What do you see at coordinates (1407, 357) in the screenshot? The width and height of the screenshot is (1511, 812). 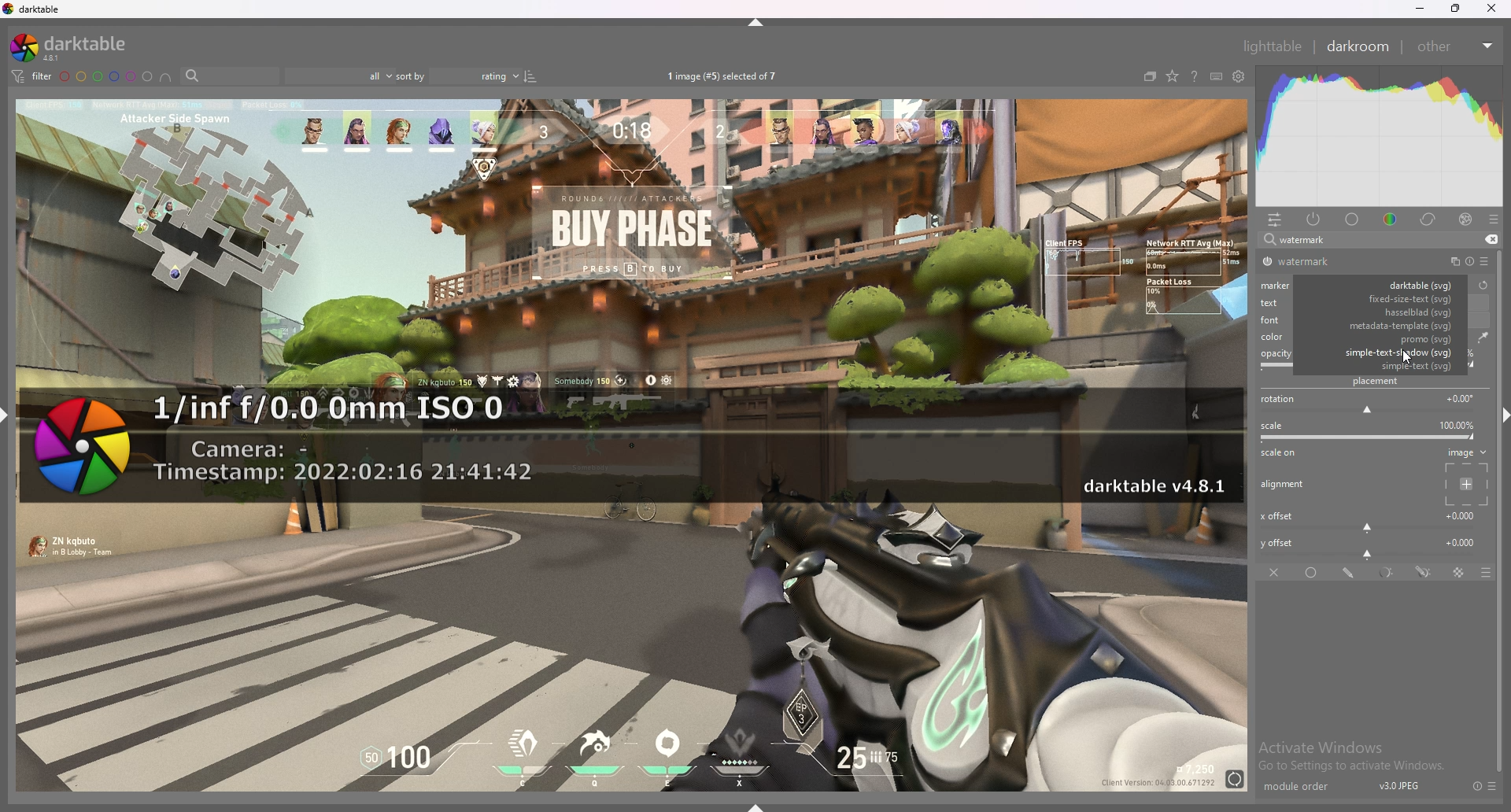 I see `Cursor` at bounding box center [1407, 357].